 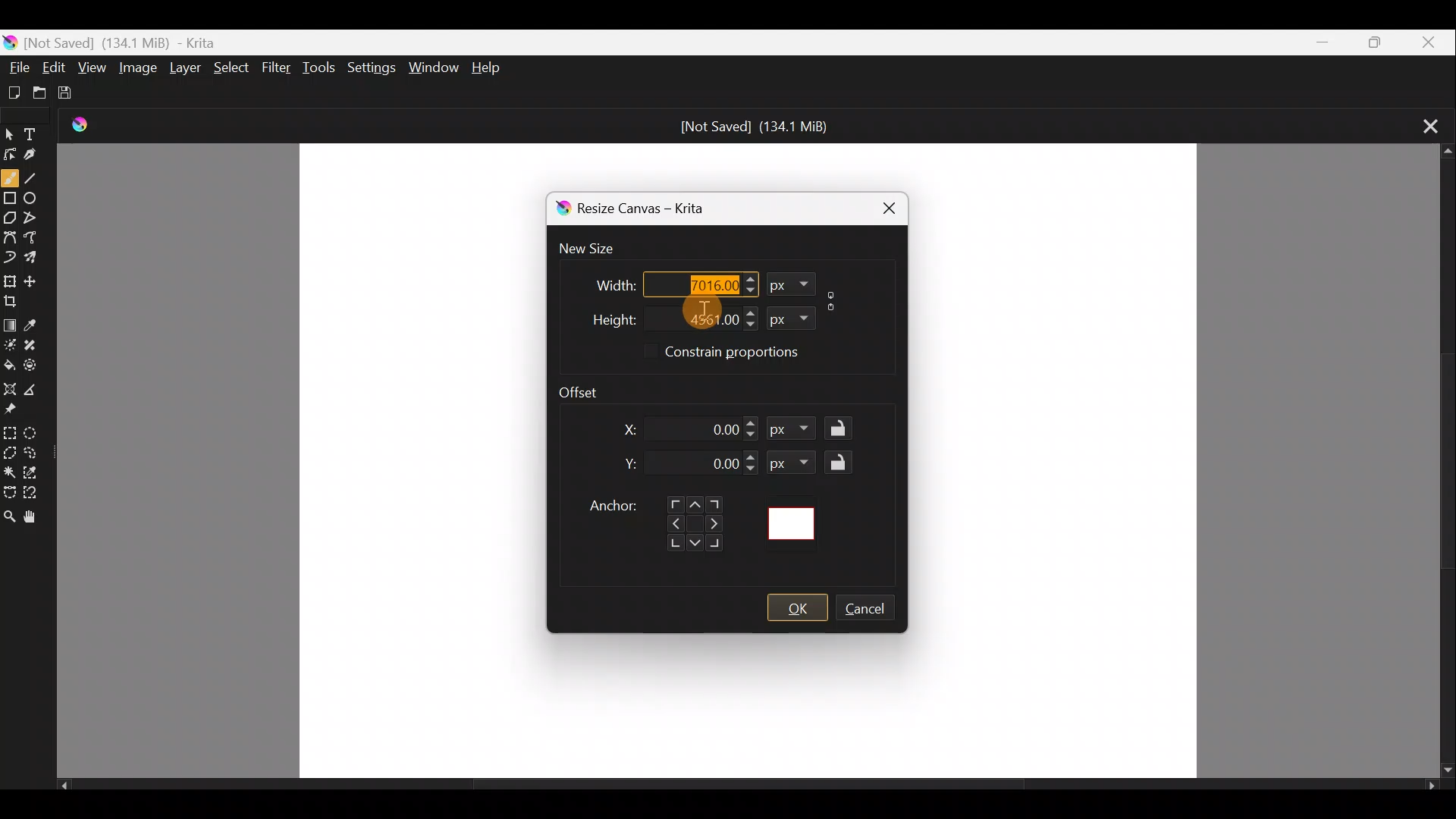 What do you see at coordinates (748, 789) in the screenshot?
I see `Scroll bar` at bounding box center [748, 789].